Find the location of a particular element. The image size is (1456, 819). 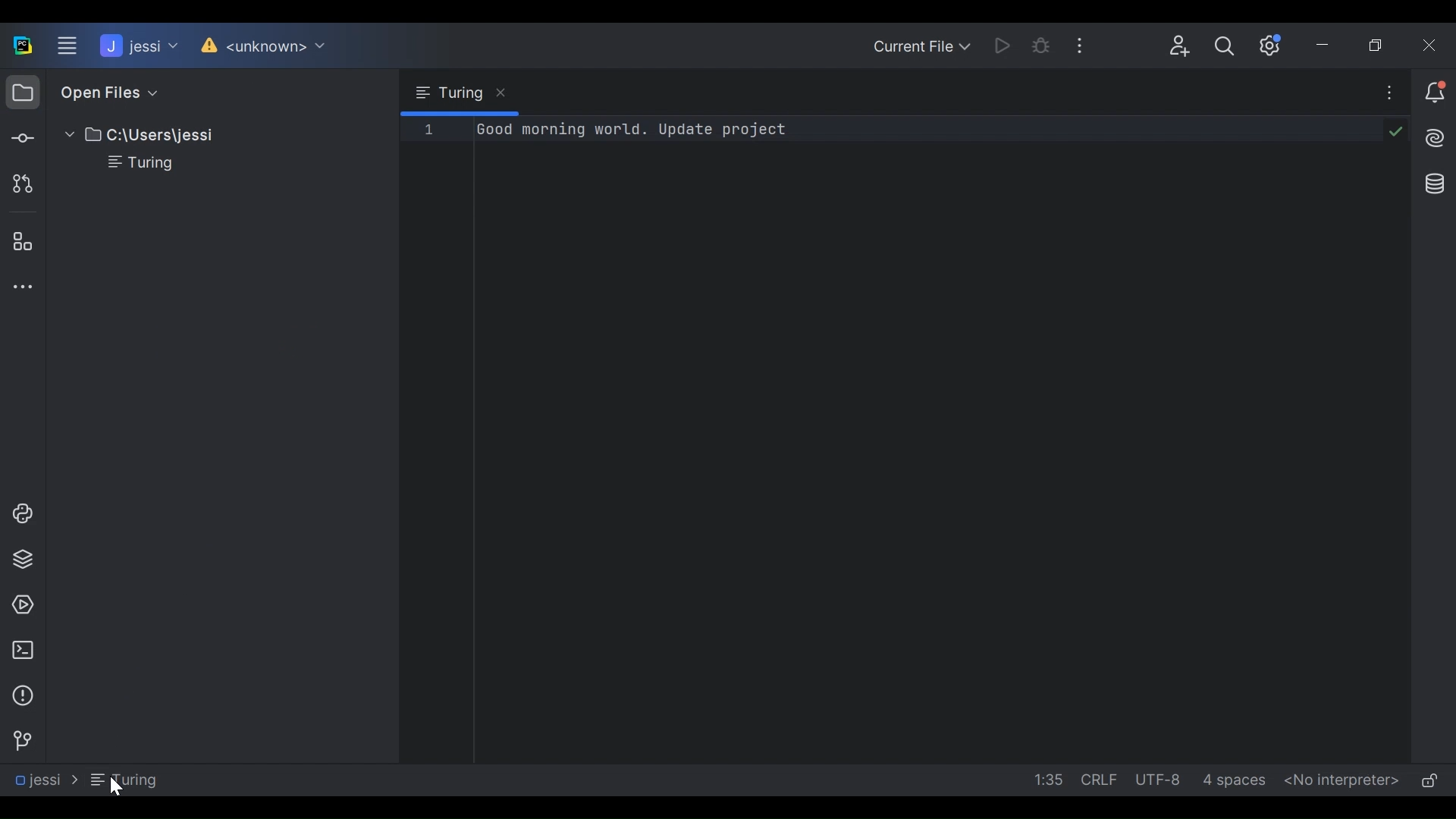

Pull request is located at coordinates (20, 183).